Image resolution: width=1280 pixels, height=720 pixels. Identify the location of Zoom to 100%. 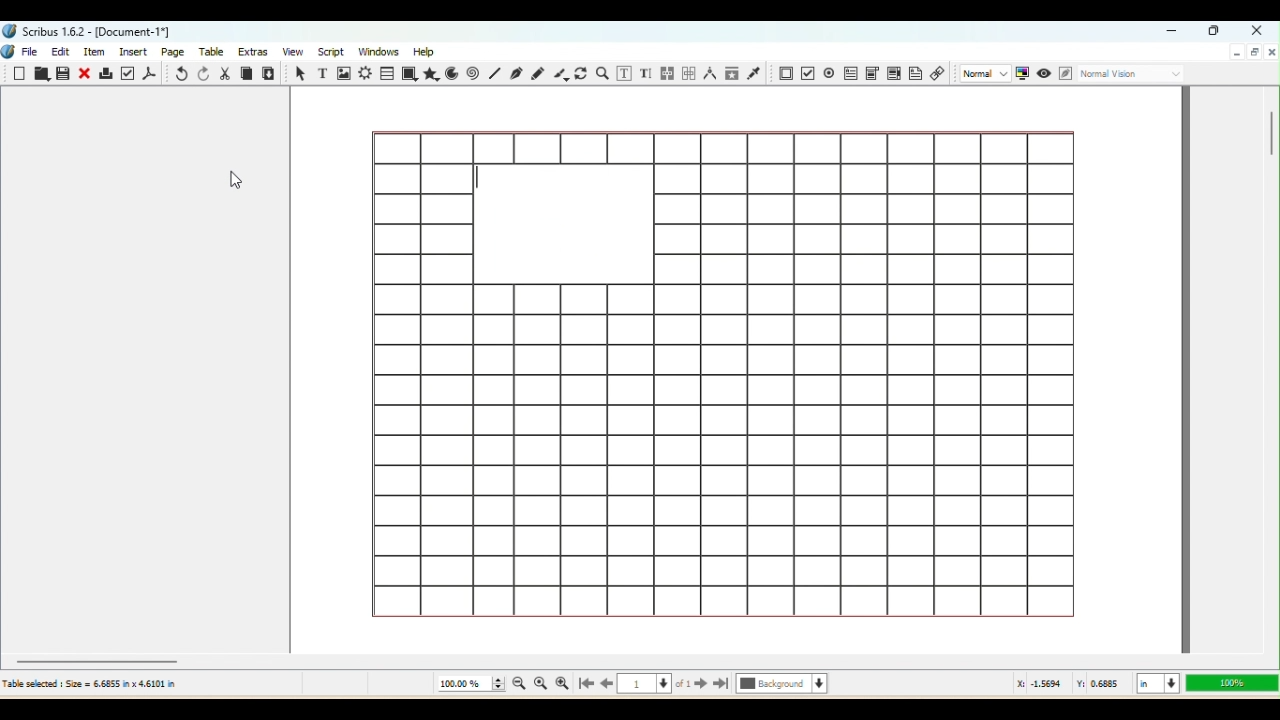
(541, 685).